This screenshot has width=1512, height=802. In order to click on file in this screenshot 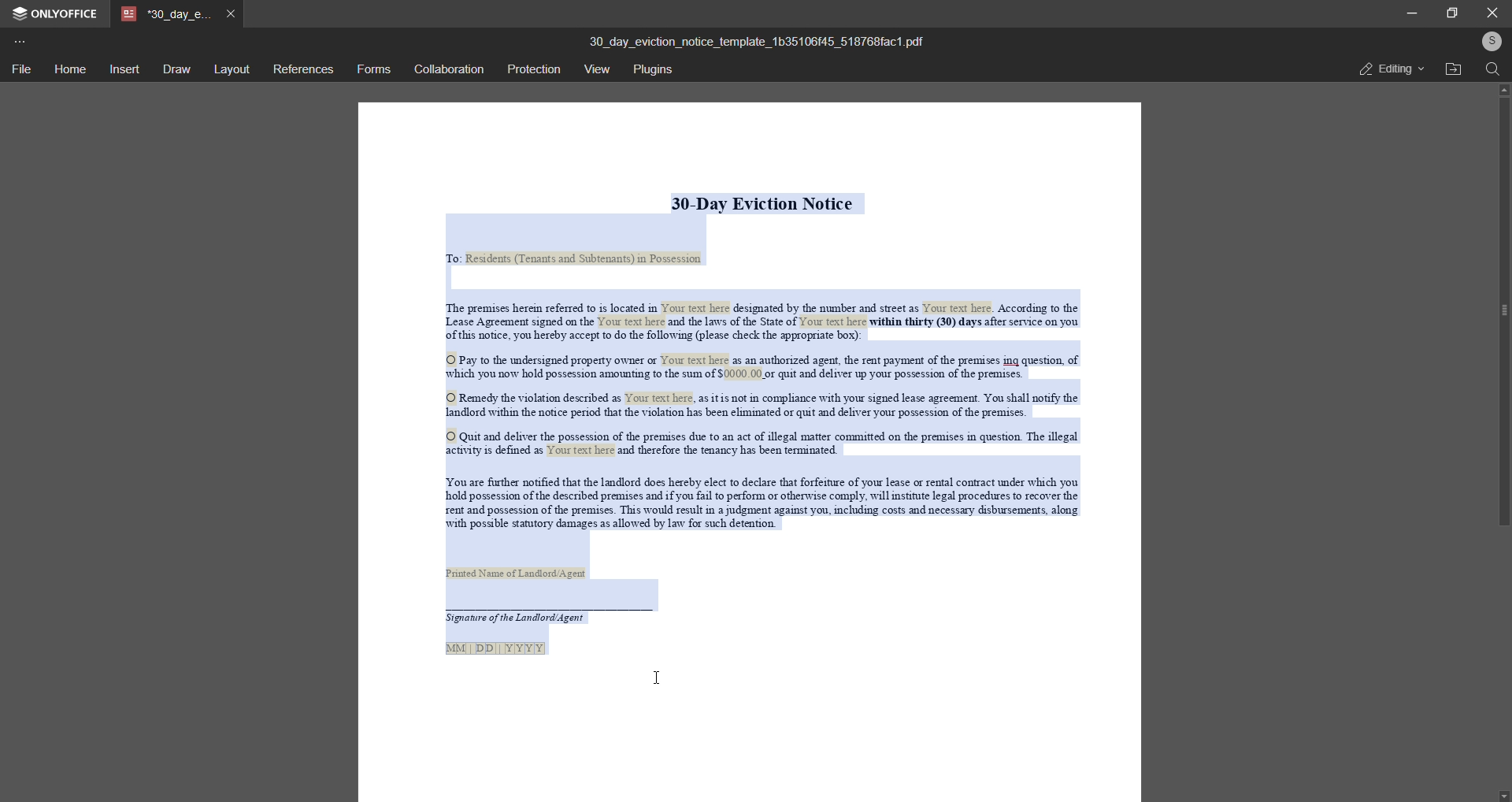, I will do `click(20, 70)`.